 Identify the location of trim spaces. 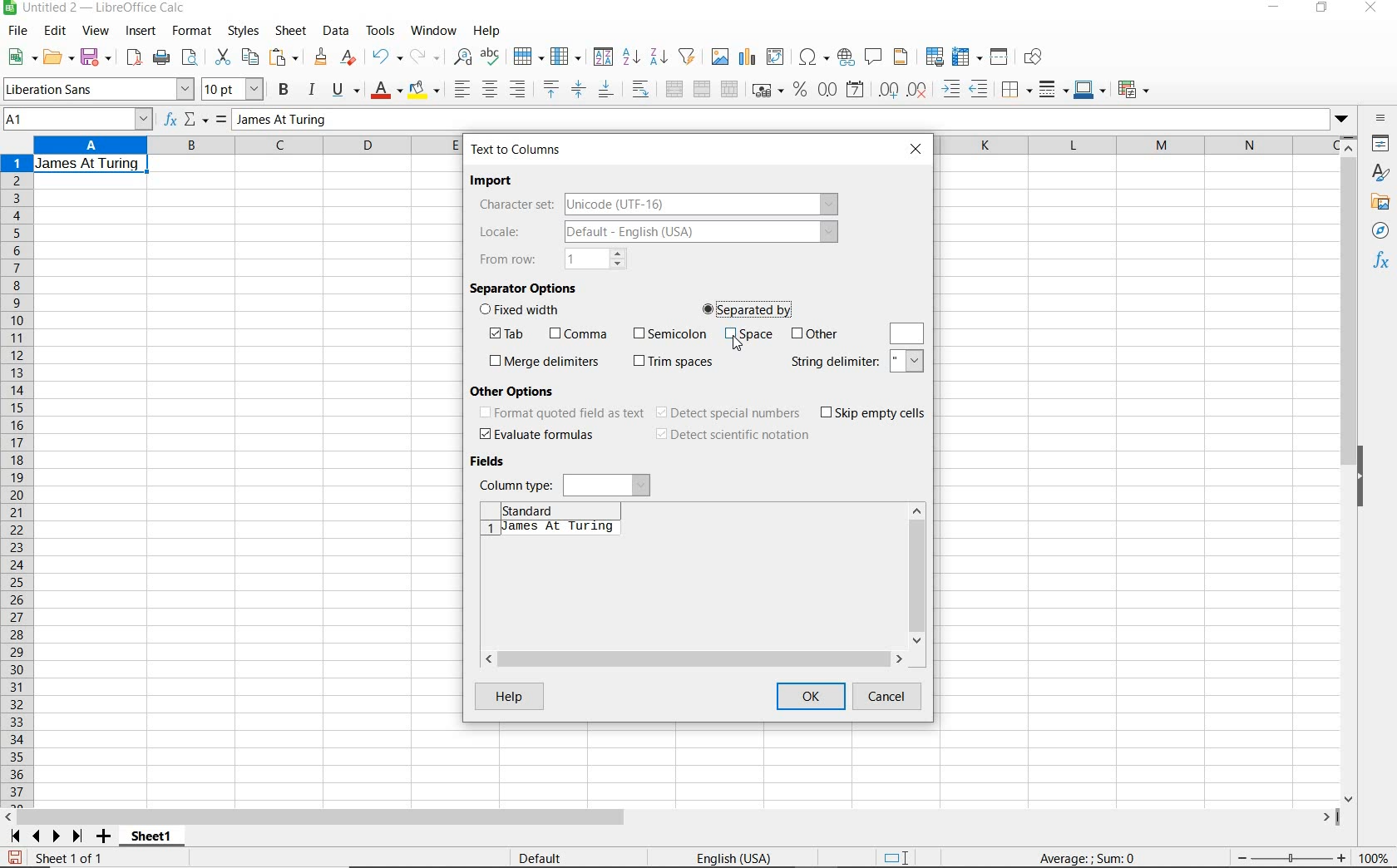
(674, 362).